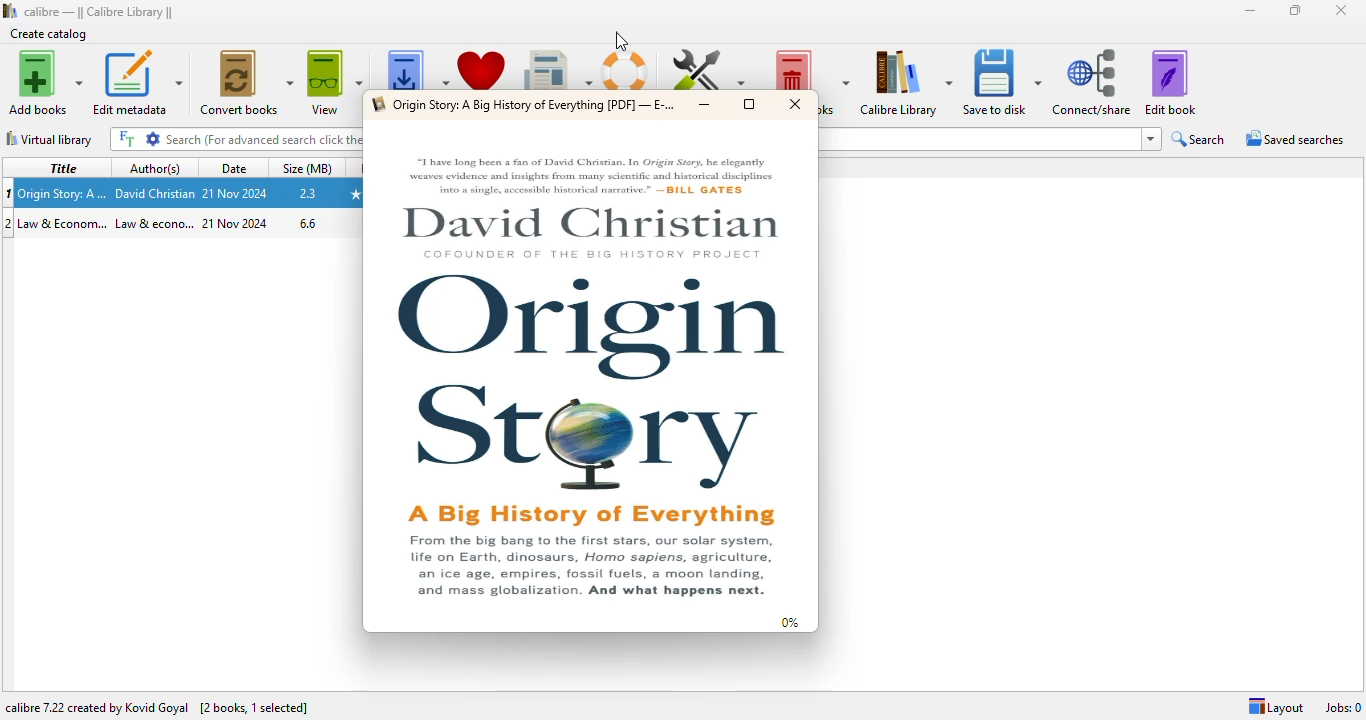 Image resolution: width=1366 pixels, height=720 pixels. Describe the element at coordinates (1094, 82) in the screenshot. I see `connect/share` at that location.